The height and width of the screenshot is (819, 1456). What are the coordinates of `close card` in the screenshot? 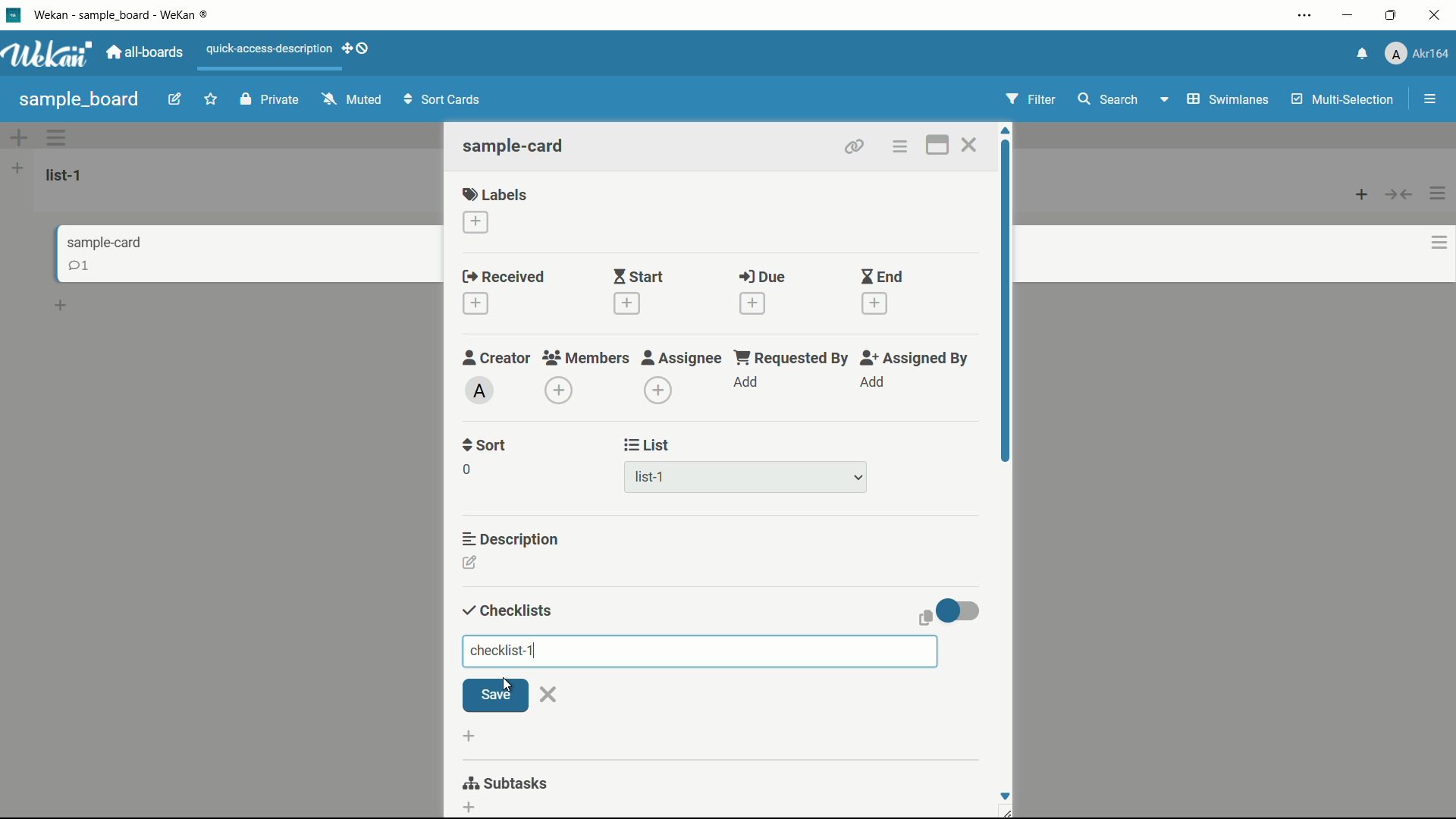 It's located at (971, 145).